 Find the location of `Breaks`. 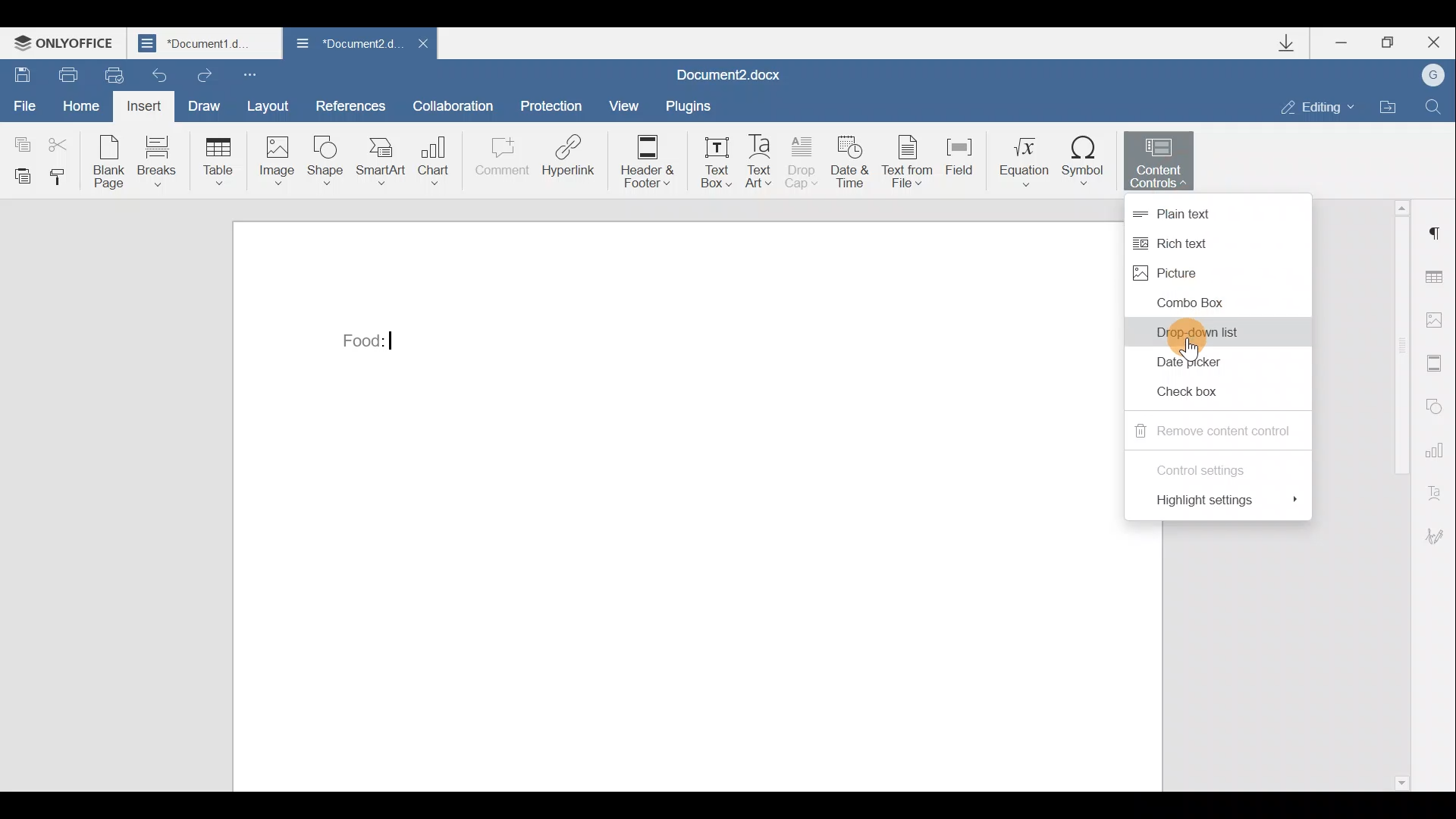

Breaks is located at coordinates (155, 165).